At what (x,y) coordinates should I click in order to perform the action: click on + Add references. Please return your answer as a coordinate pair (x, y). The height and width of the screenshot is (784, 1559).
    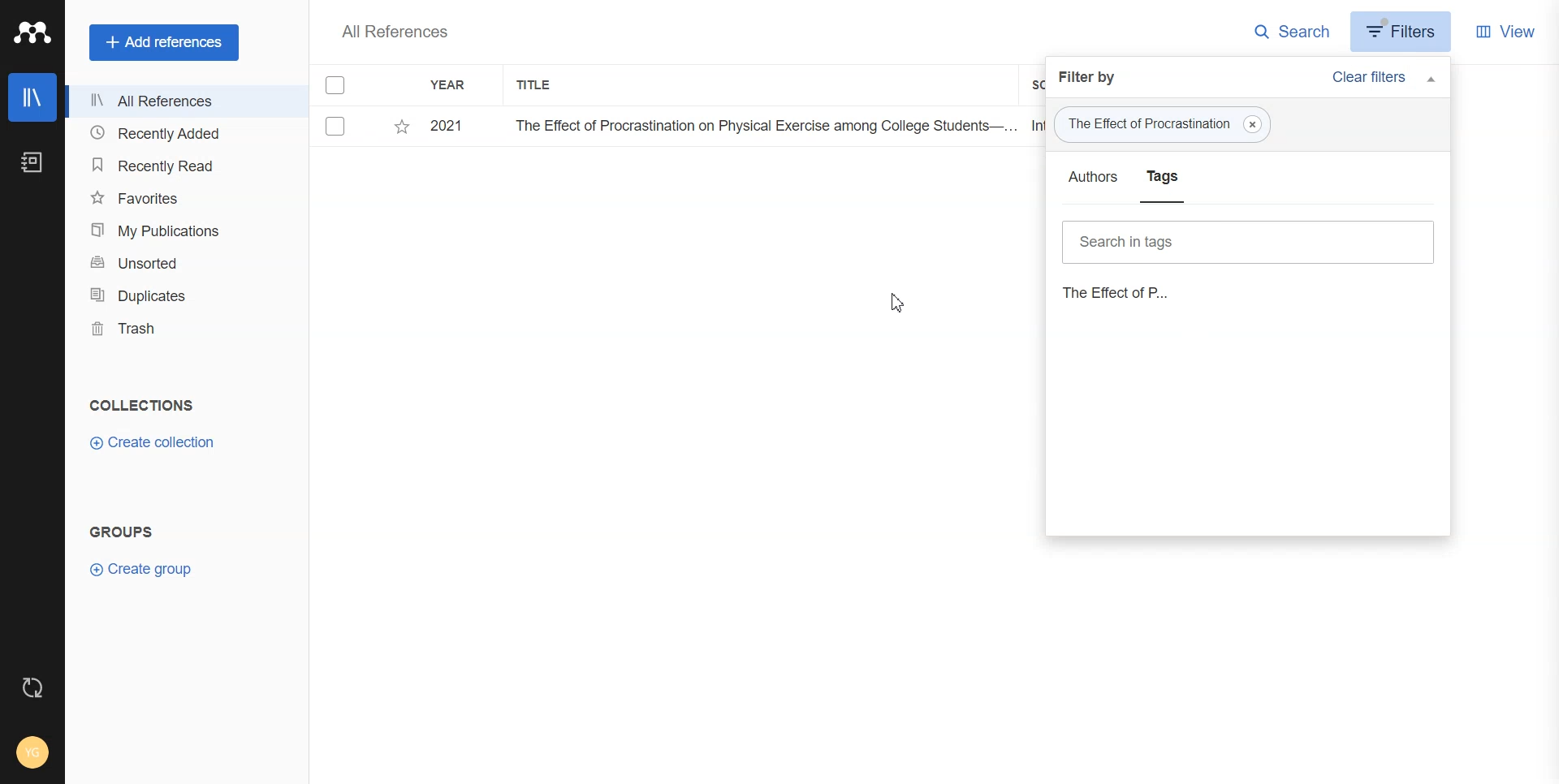
    Looking at the image, I should click on (163, 42).